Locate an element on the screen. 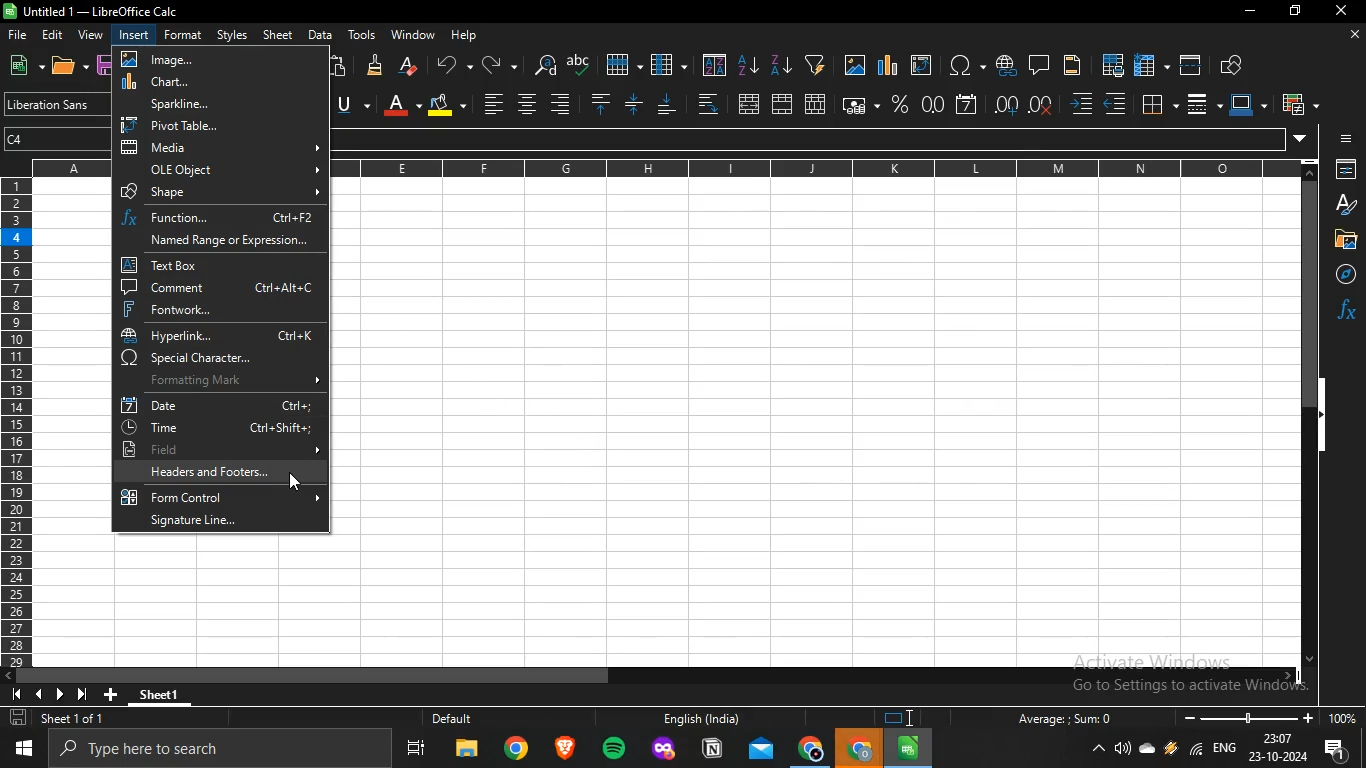 The width and height of the screenshot is (1366, 768). close is located at coordinates (1353, 36).